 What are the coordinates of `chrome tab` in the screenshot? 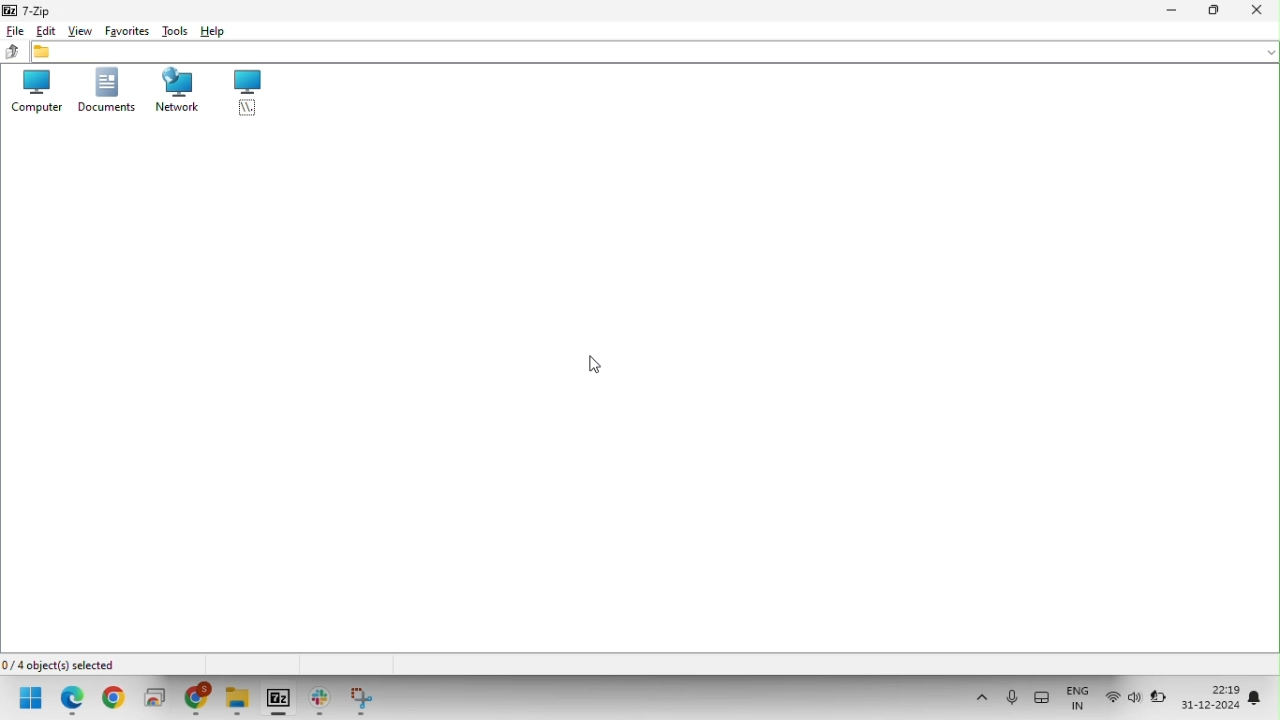 It's located at (152, 701).